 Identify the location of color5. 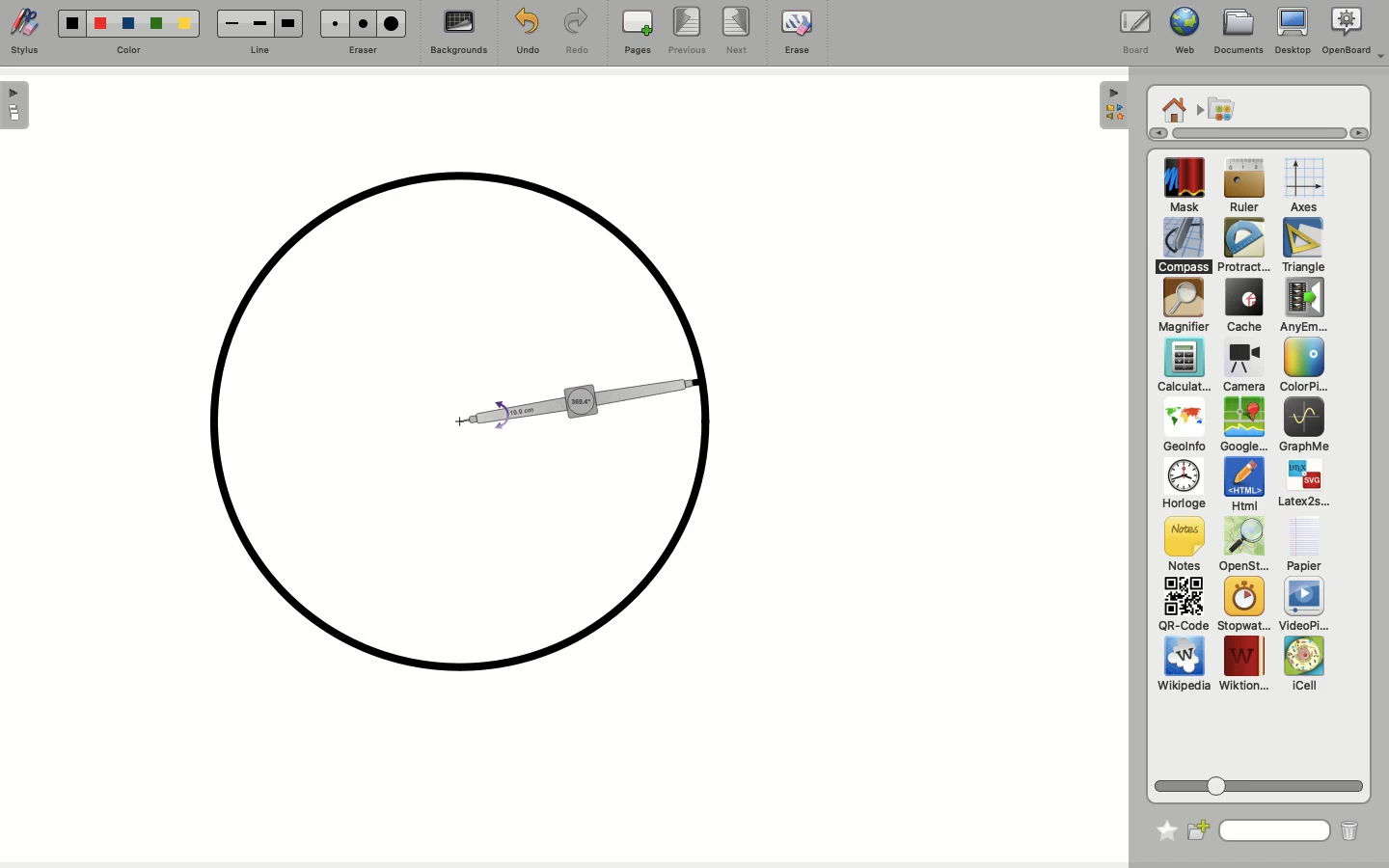
(183, 25).